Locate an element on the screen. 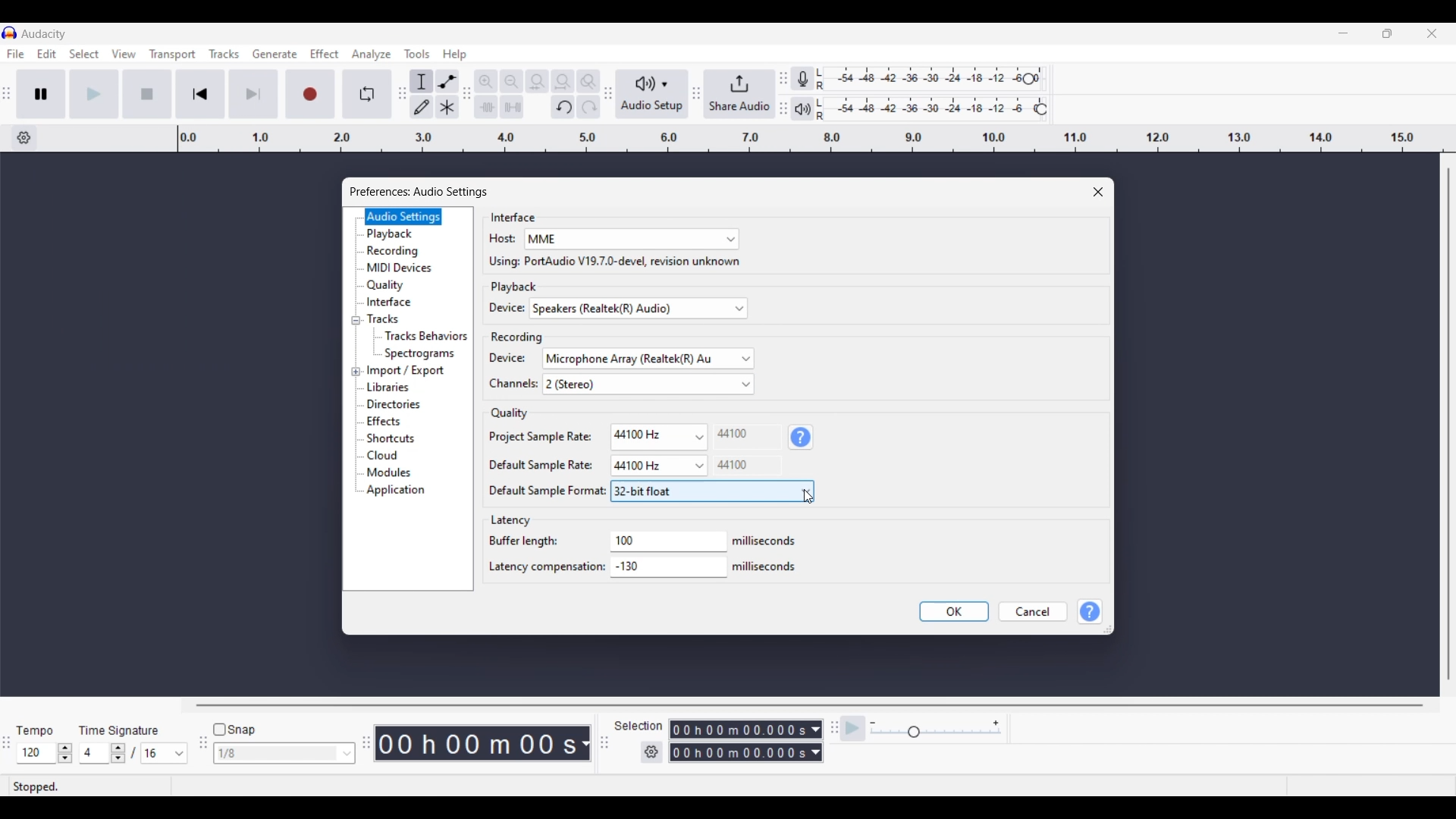 This screenshot has width=1456, height=819. Audio setup is located at coordinates (652, 94).